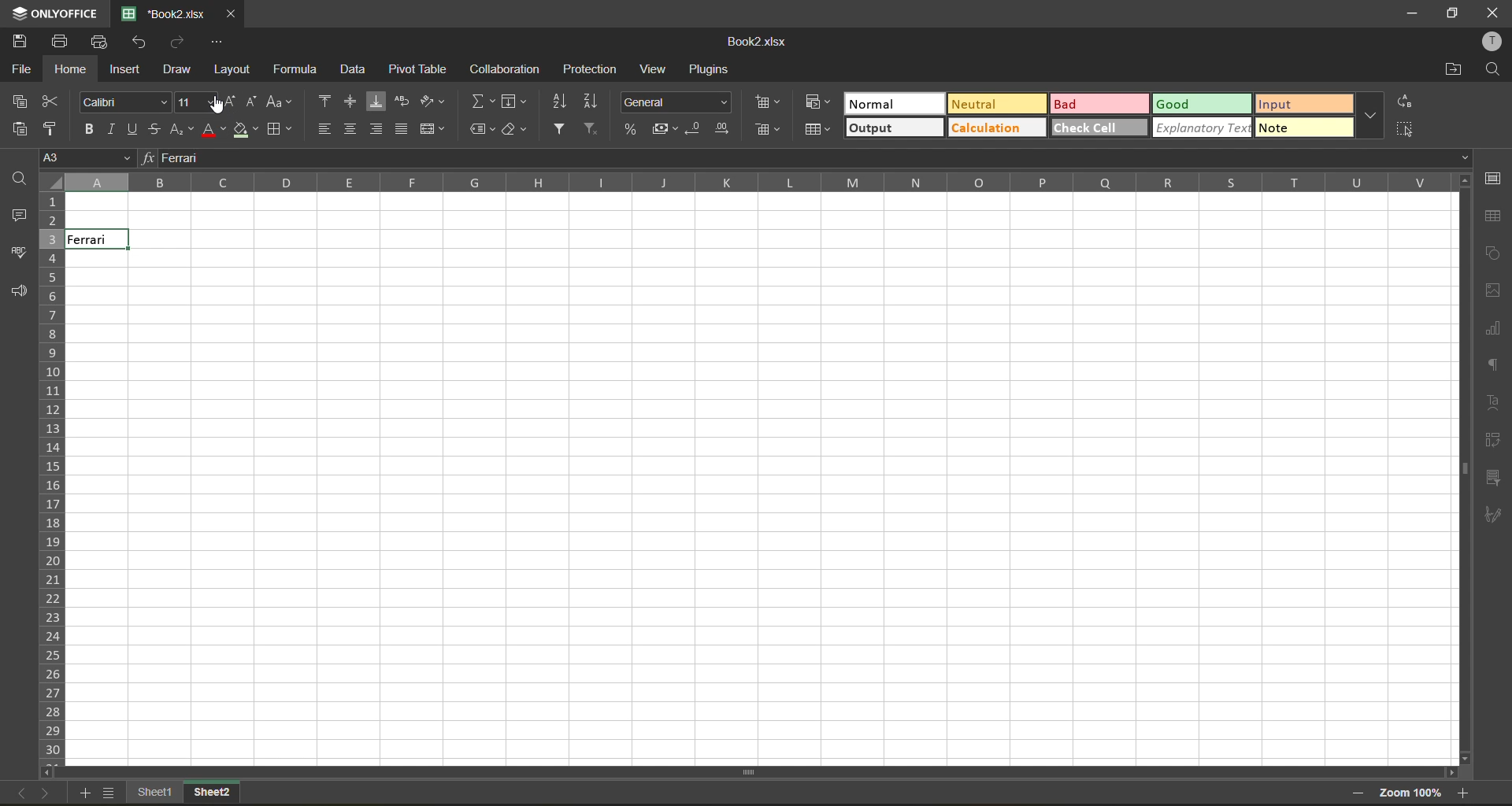  What do you see at coordinates (753, 43) in the screenshot?
I see `filename` at bounding box center [753, 43].